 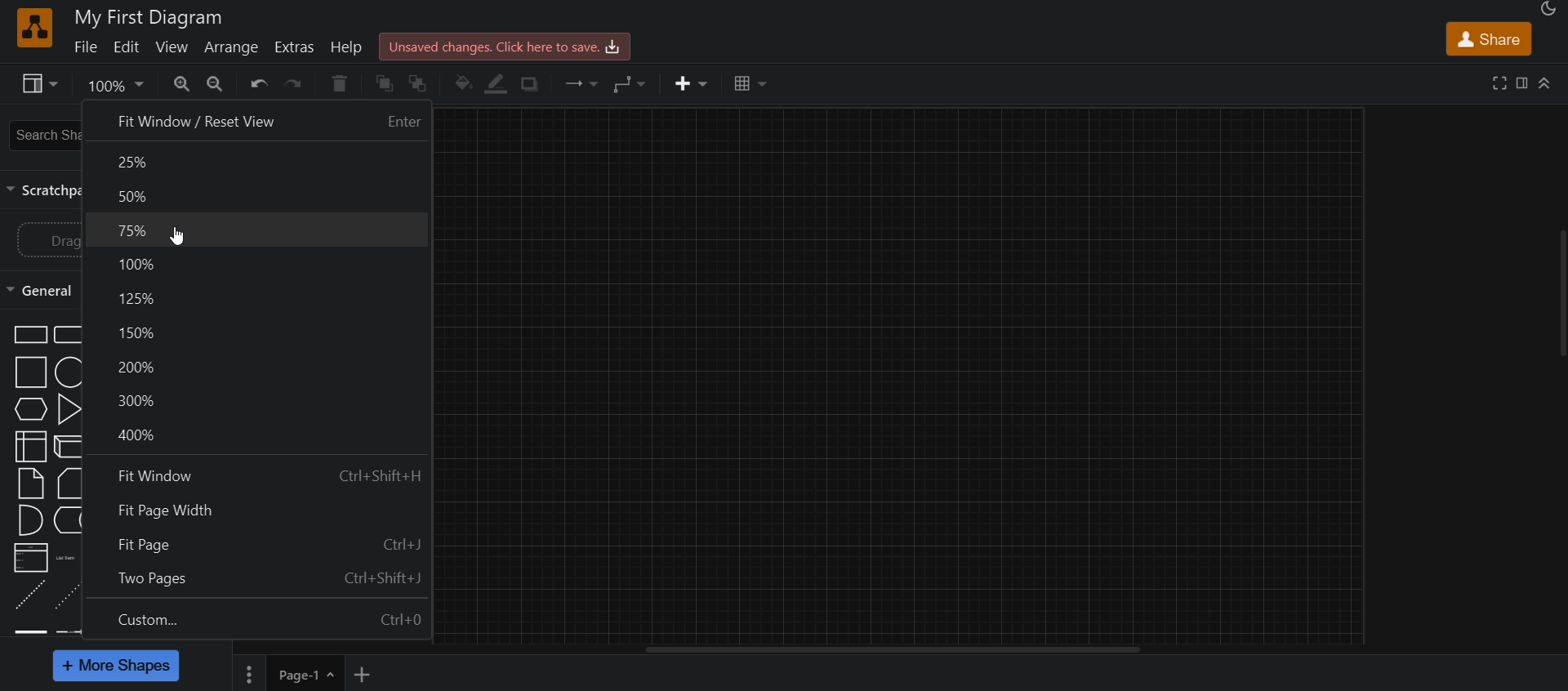 What do you see at coordinates (263, 263) in the screenshot?
I see `100%` at bounding box center [263, 263].